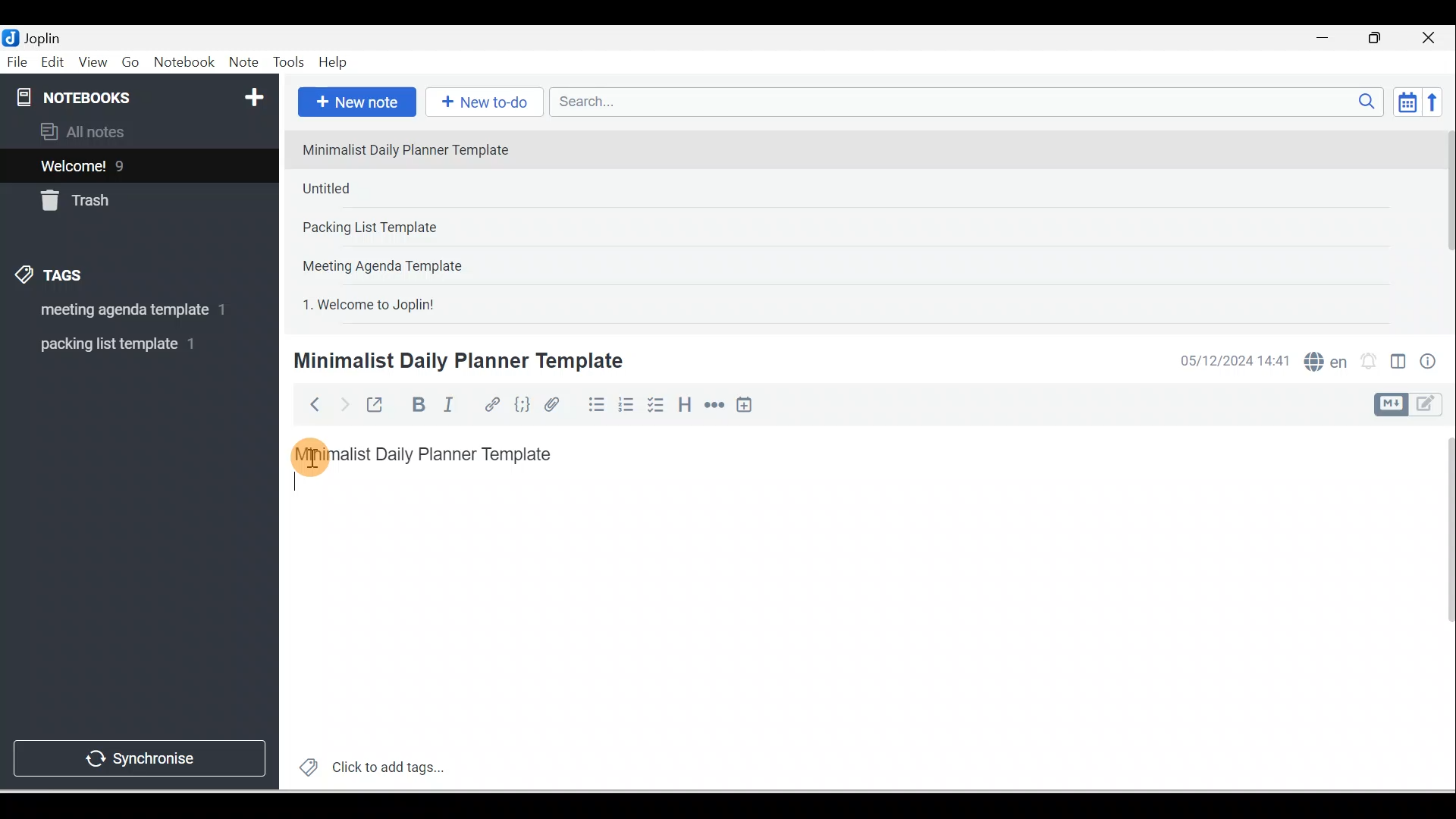 The image size is (1456, 819). Describe the element at coordinates (54, 278) in the screenshot. I see `Tags` at that location.